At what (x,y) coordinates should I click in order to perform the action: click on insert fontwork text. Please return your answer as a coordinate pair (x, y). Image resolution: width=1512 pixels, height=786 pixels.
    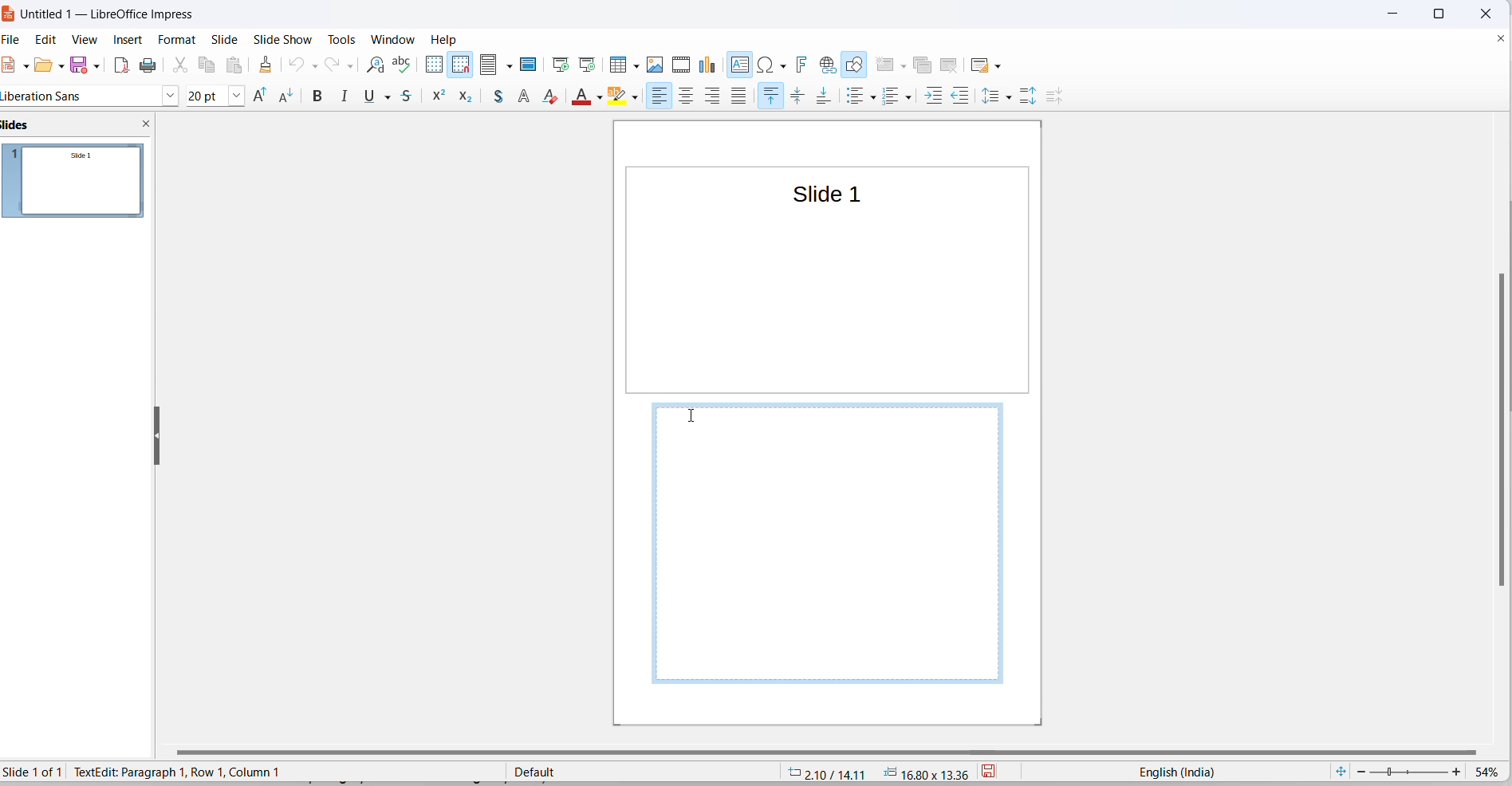
    Looking at the image, I should click on (803, 65).